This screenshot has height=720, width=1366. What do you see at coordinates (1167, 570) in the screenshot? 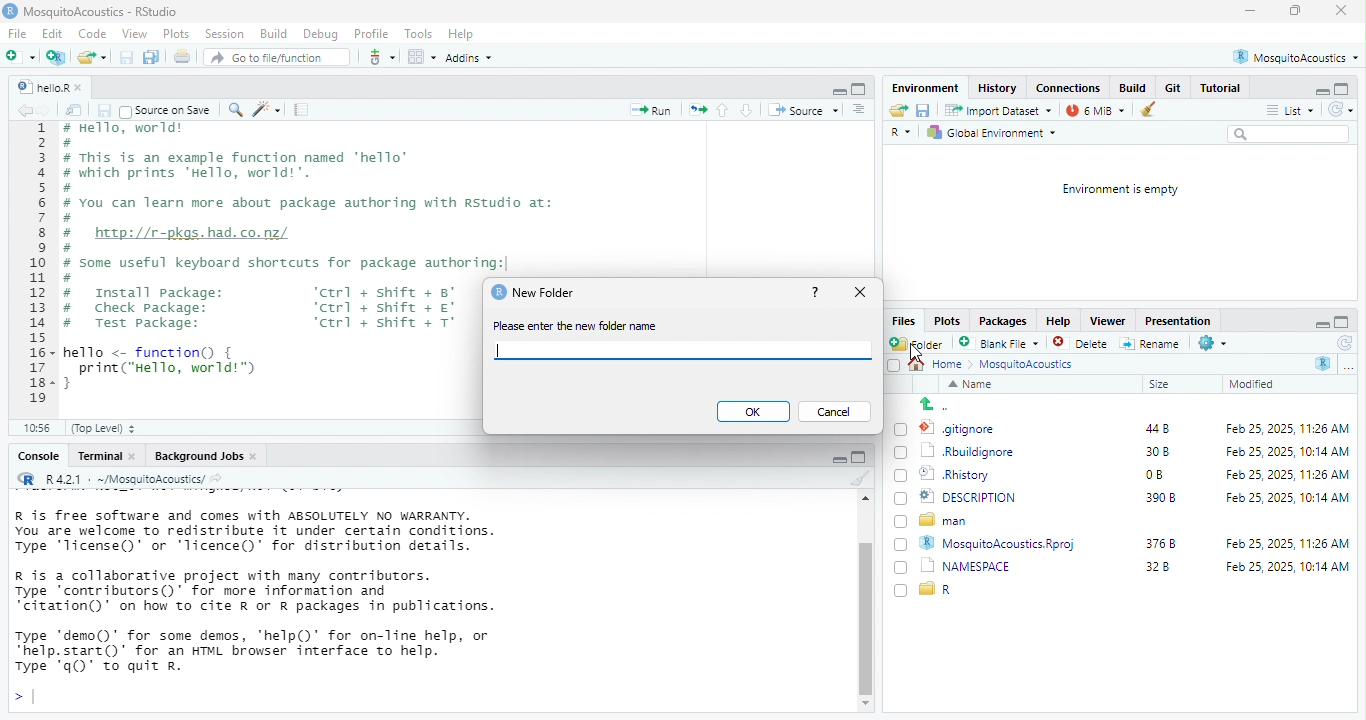
I see `32b` at bounding box center [1167, 570].